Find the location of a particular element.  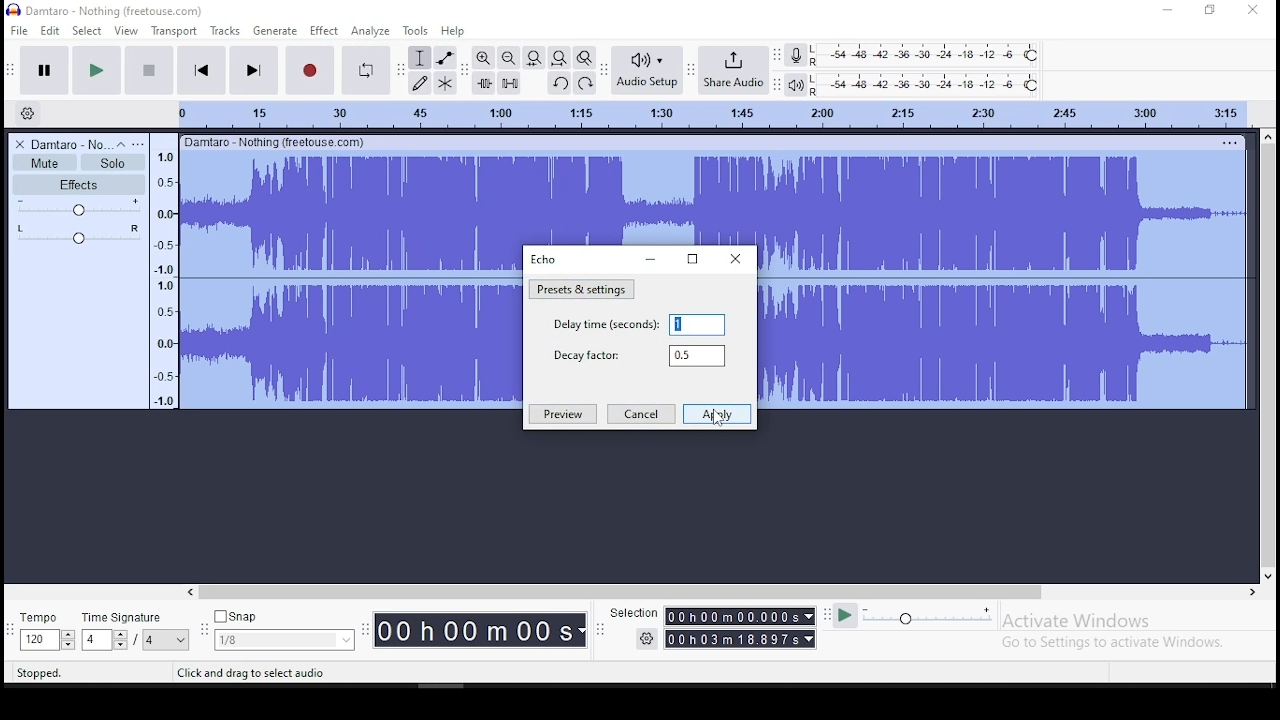

envelope tool is located at coordinates (444, 57).